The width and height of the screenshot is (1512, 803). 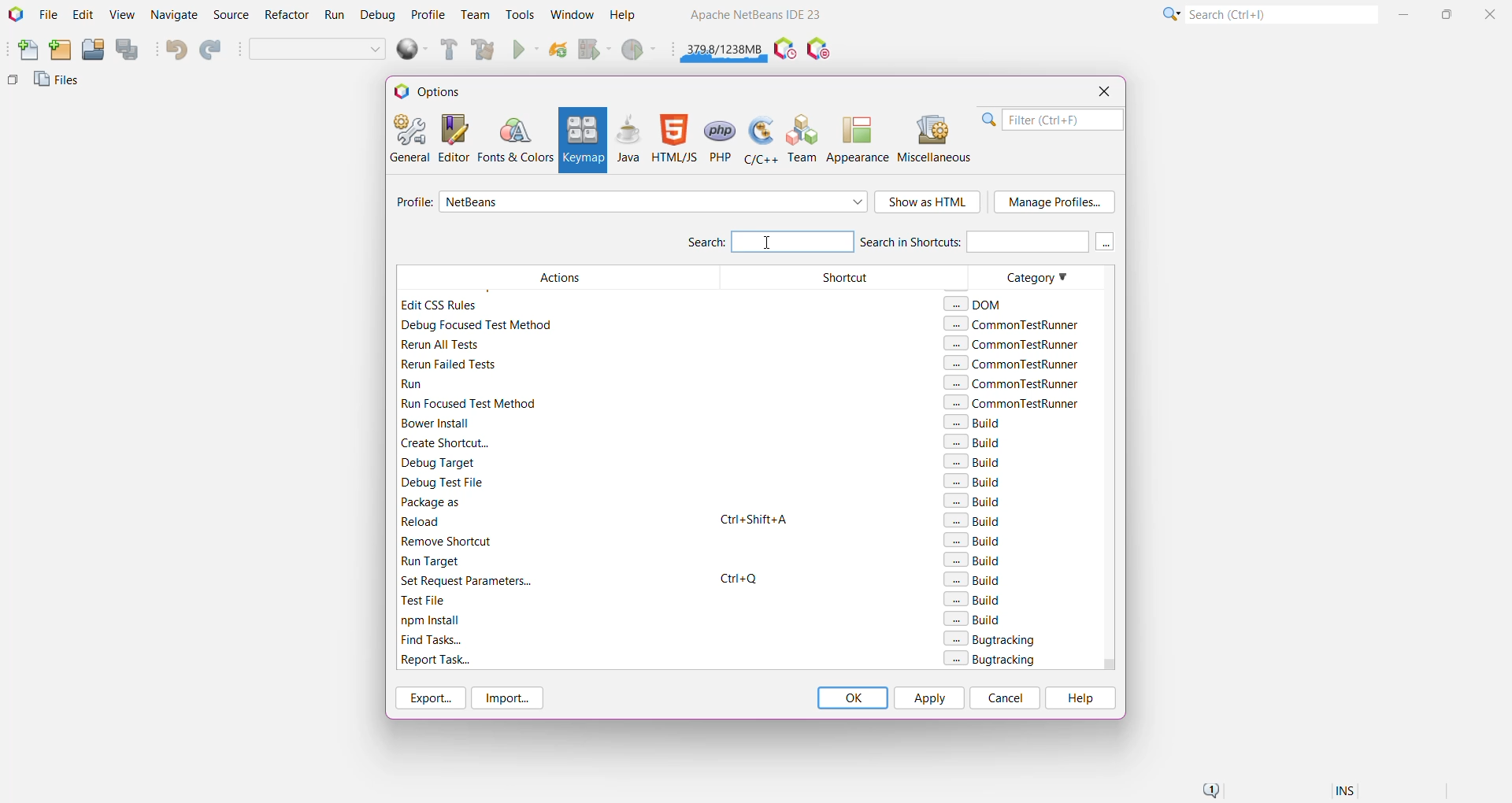 I want to click on Profile, so click(x=428, y=14).